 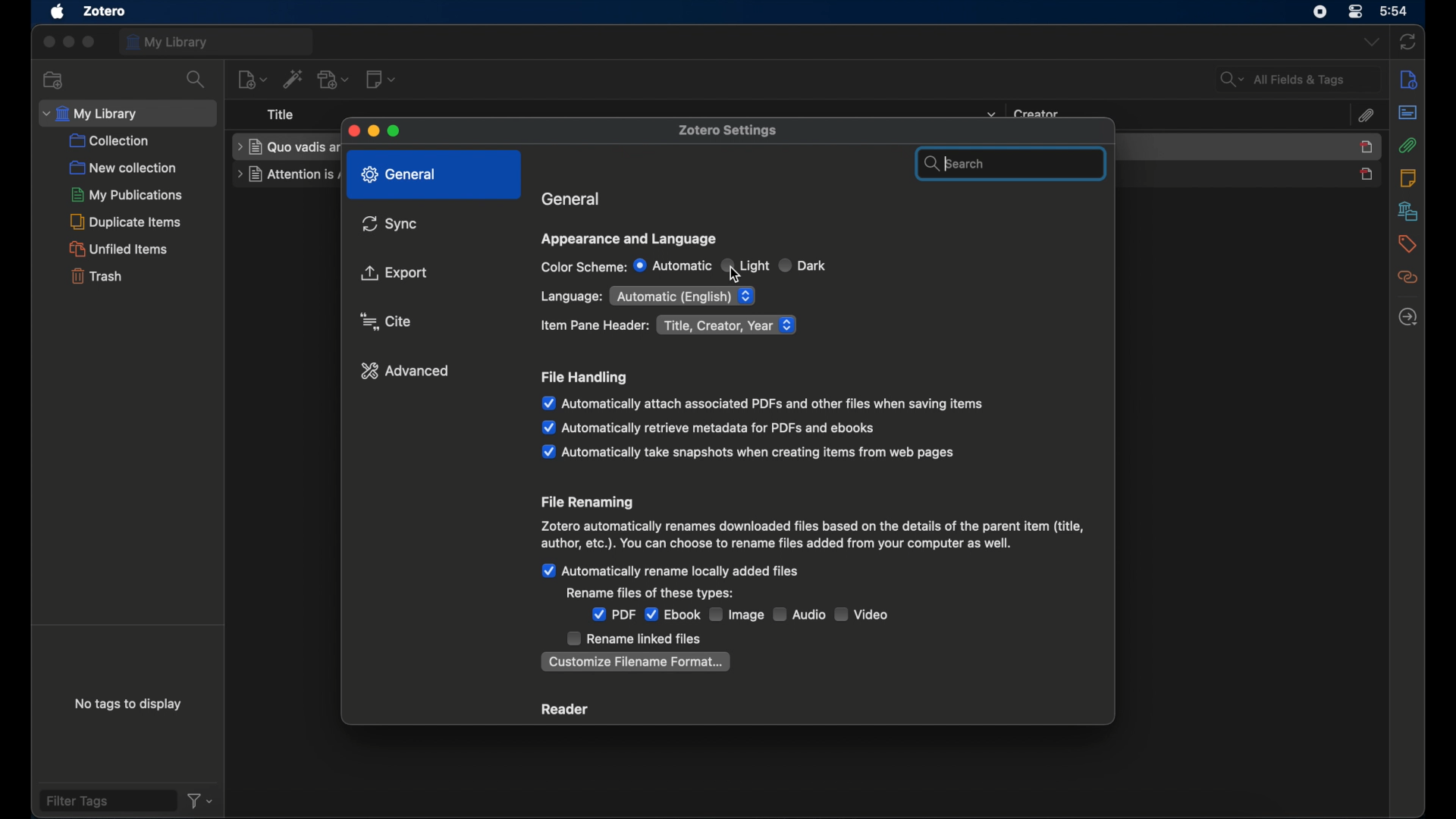 What do you see at coordinates (404, 371) in the screenshot?
I see `advanced ` at bounding box center [404, 371].